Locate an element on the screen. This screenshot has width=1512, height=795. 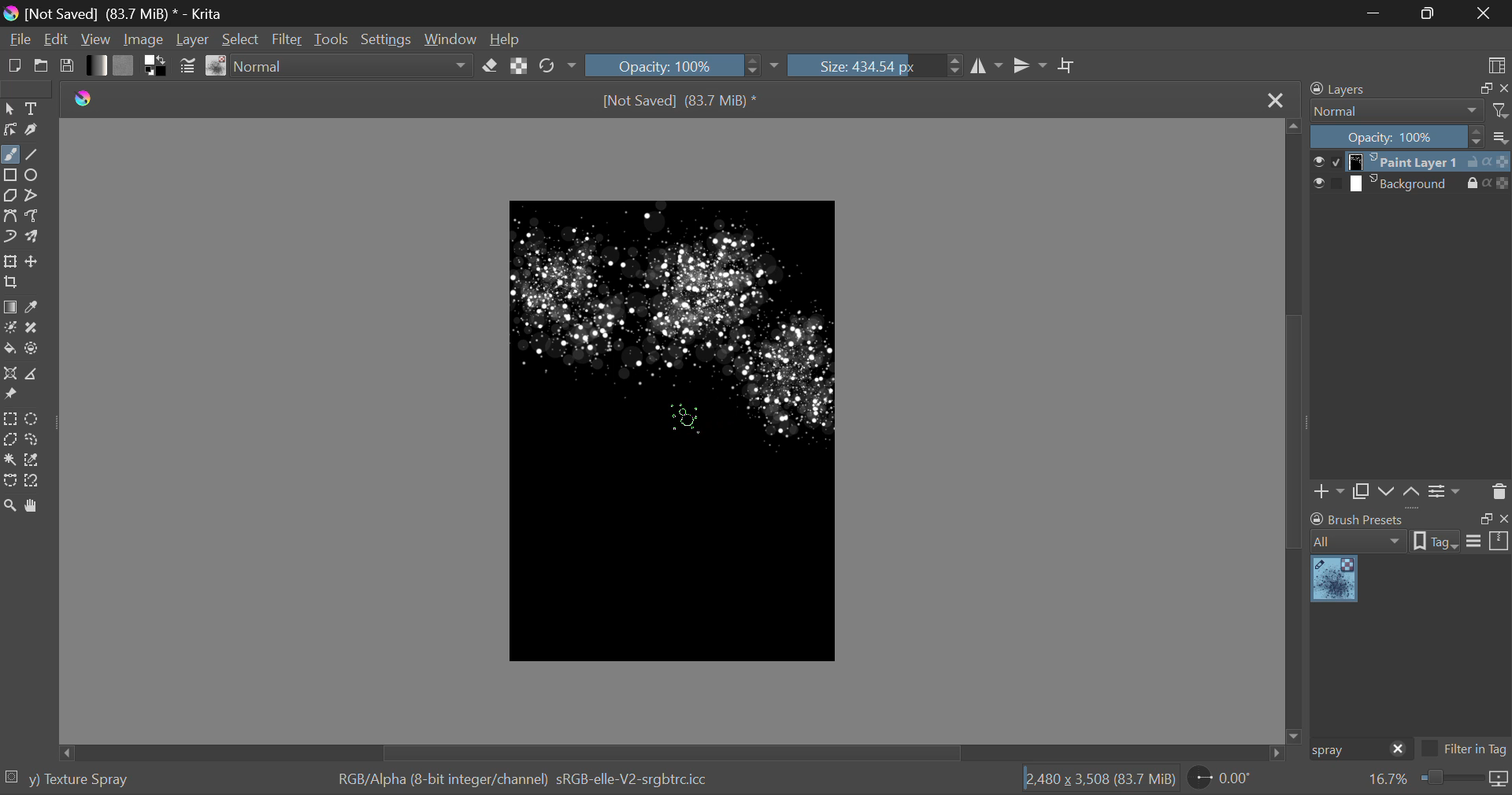
Opacity is located at coordinates (684, 65).